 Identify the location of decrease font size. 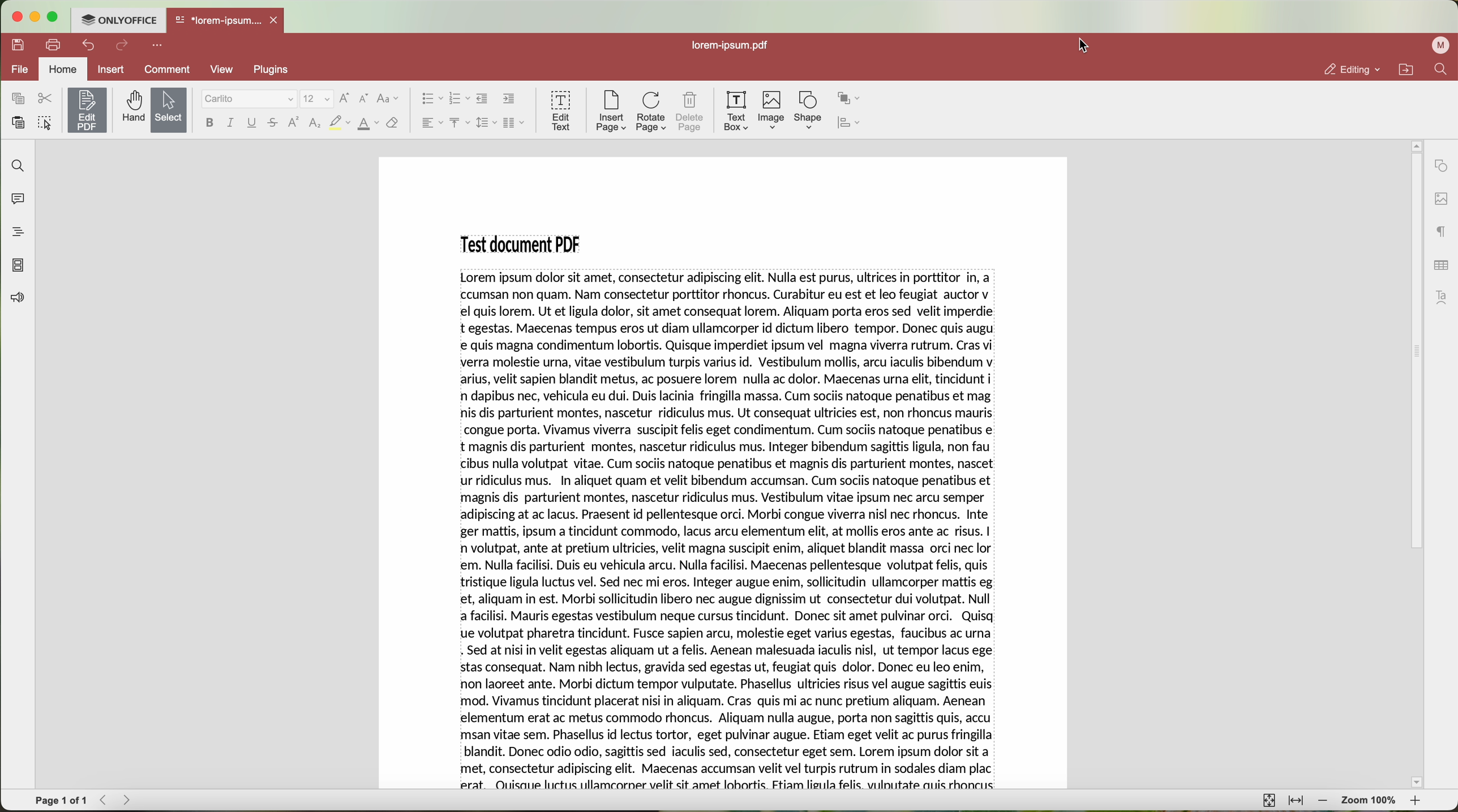
(366, 98).